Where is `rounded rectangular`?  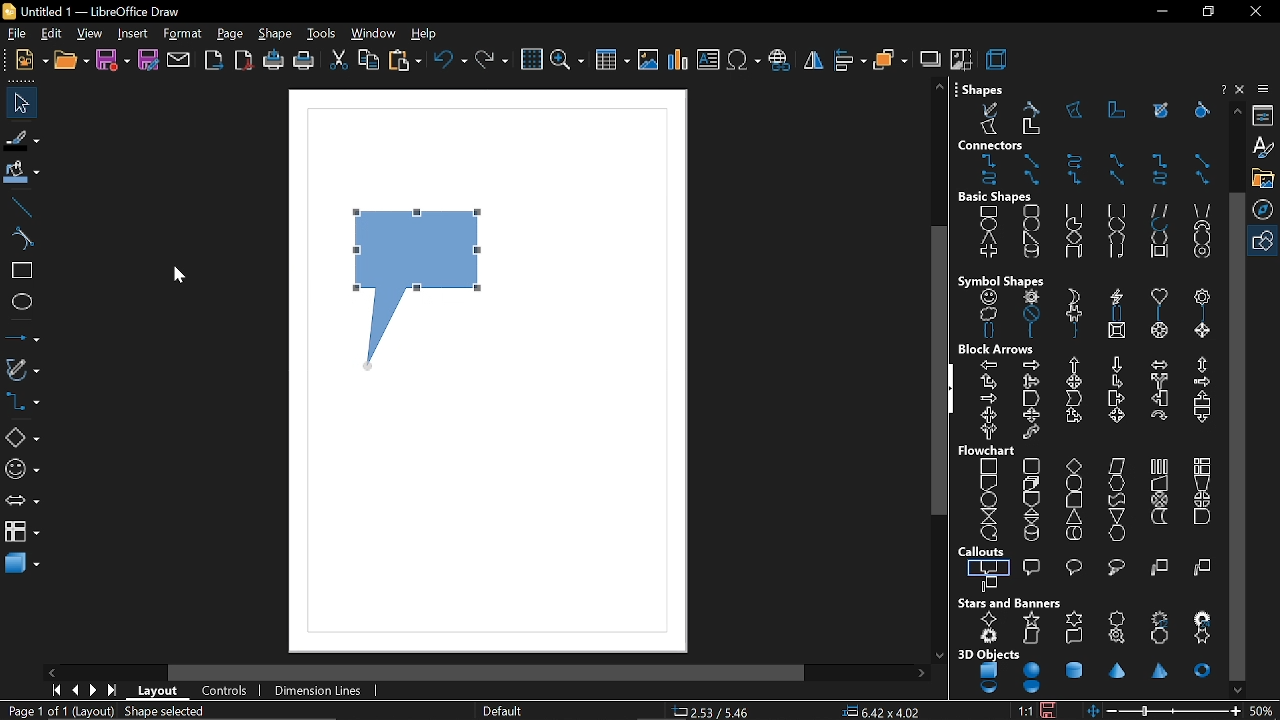
rounded rectangular is located at coordinates (1033, 566).